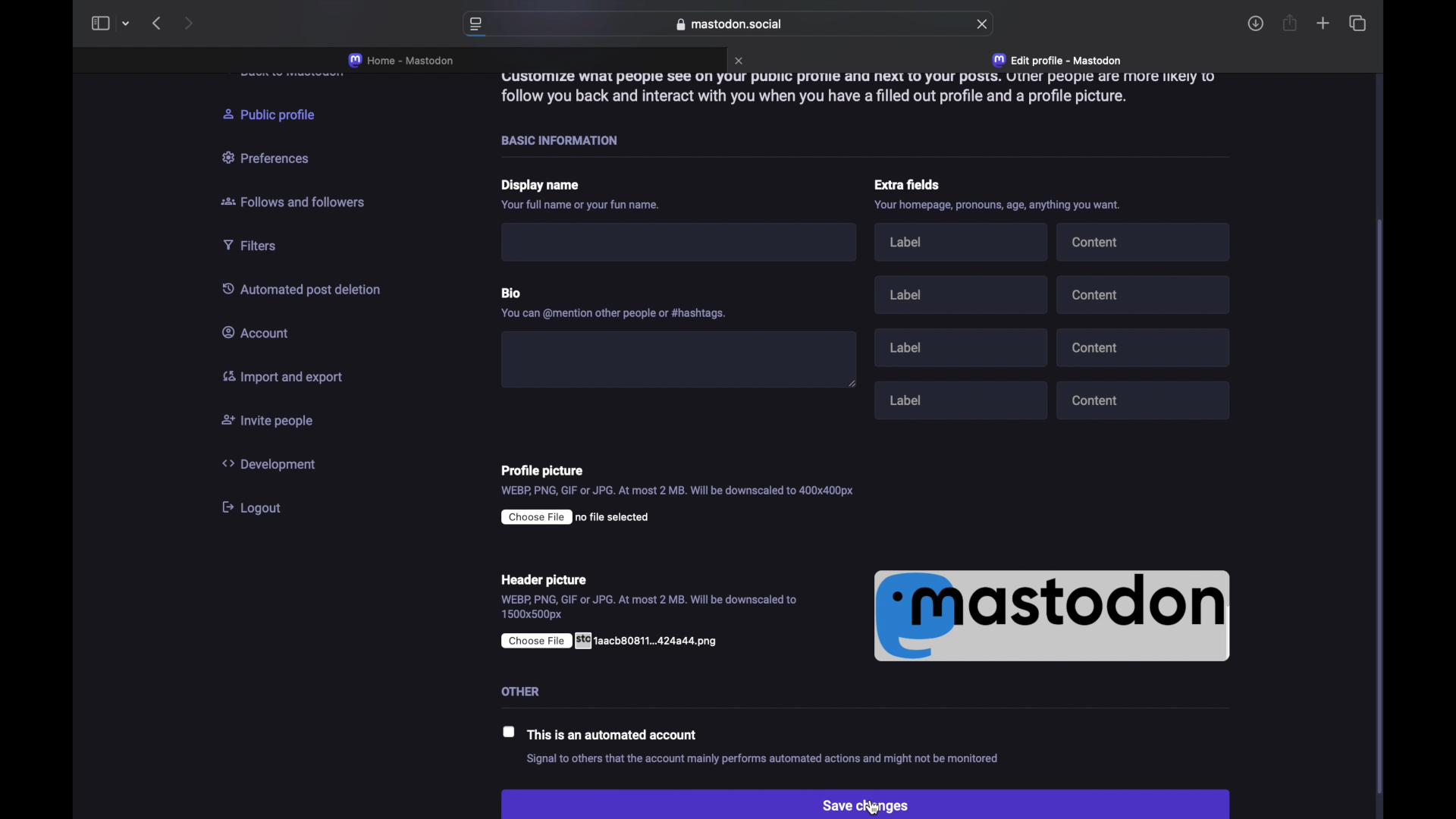  Describe the element at coordinates (741, 61) in the screenshot. I see `close` at that location.